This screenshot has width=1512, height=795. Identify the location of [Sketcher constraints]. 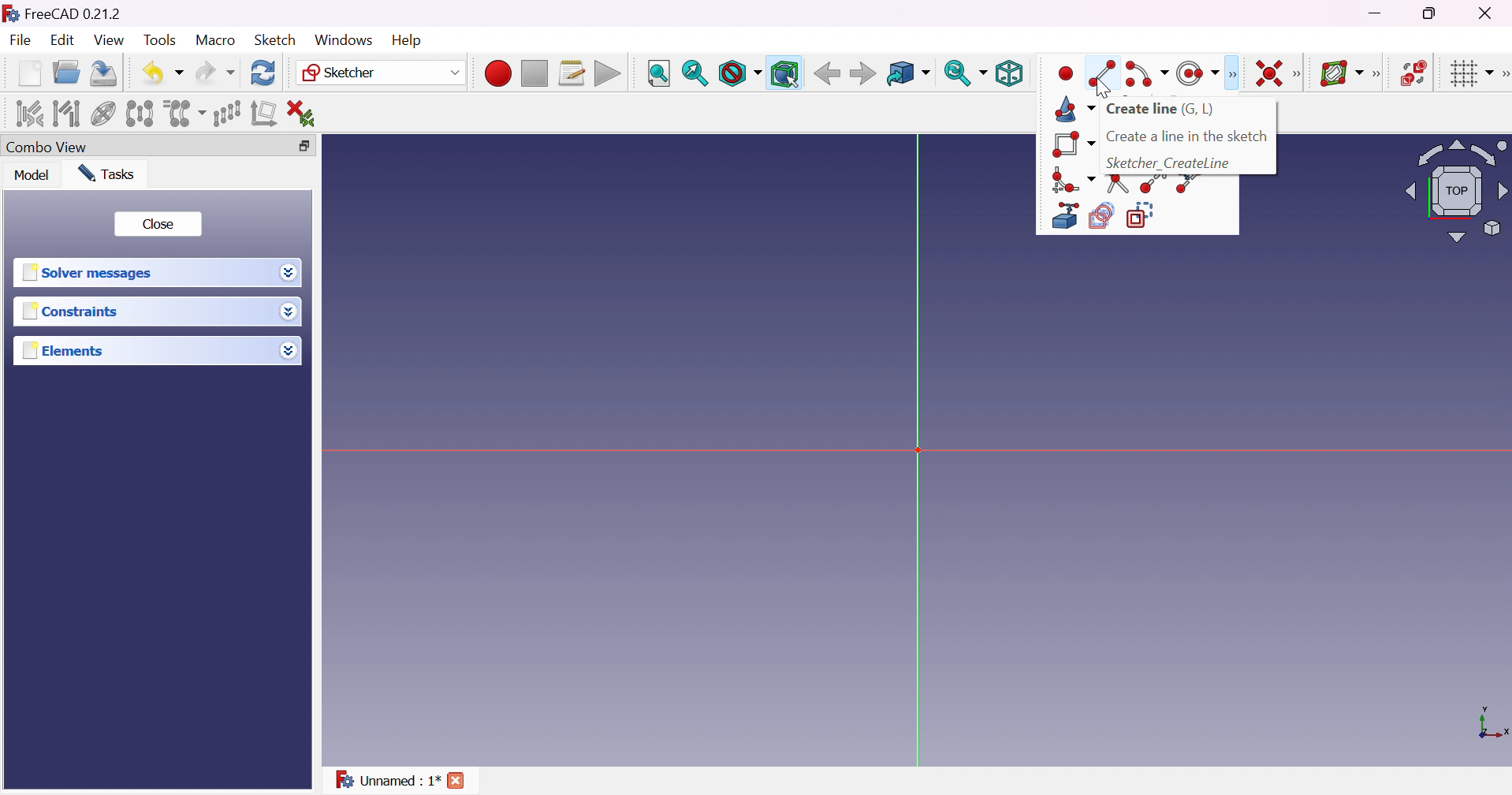
(1300, 74).